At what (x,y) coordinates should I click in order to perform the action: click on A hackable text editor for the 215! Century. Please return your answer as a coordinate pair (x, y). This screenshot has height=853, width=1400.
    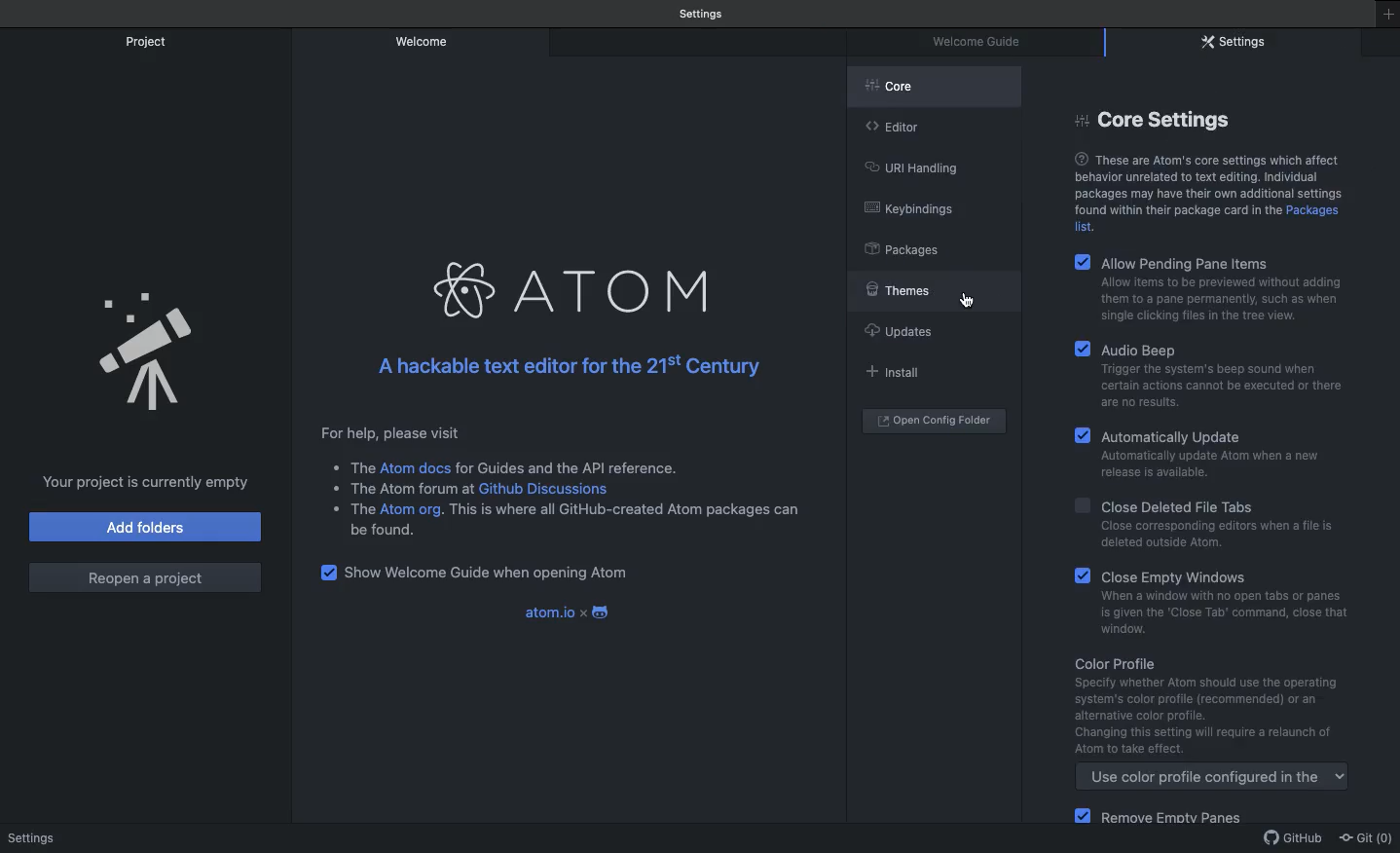
    Looking at the image, I should click on (565, 368).